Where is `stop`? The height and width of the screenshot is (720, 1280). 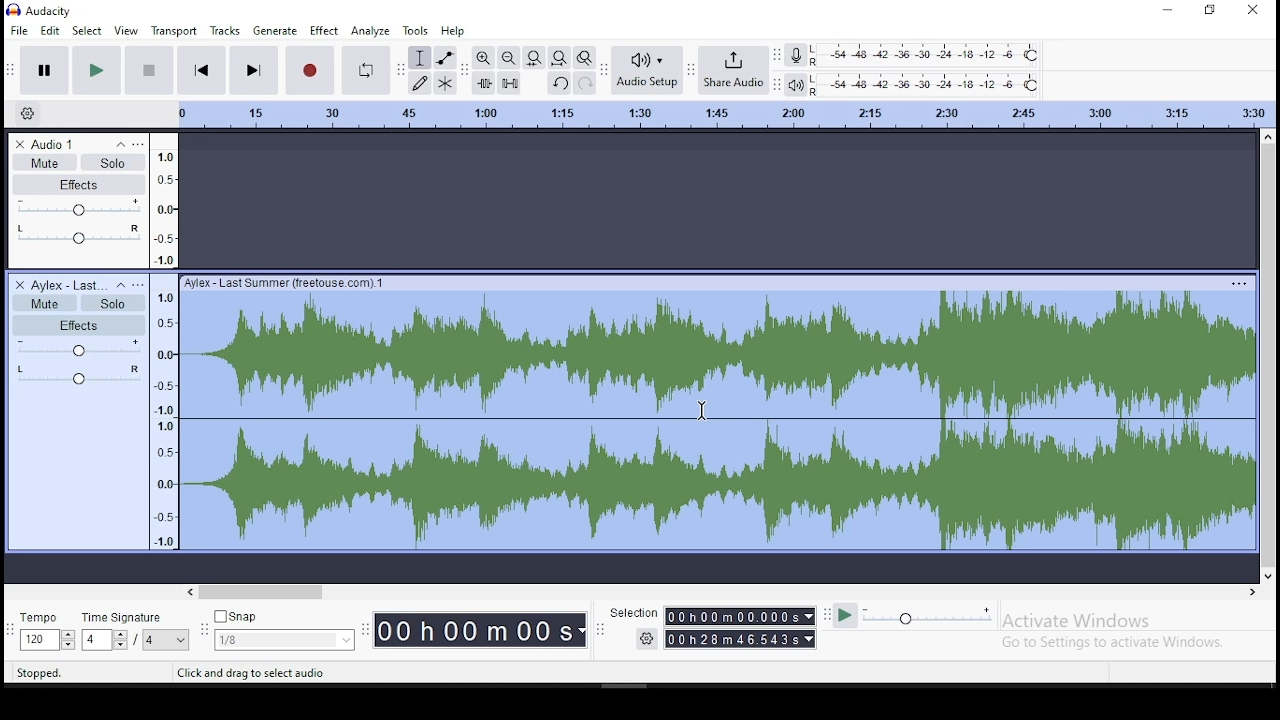 stop is located at coordinates (150, 70).